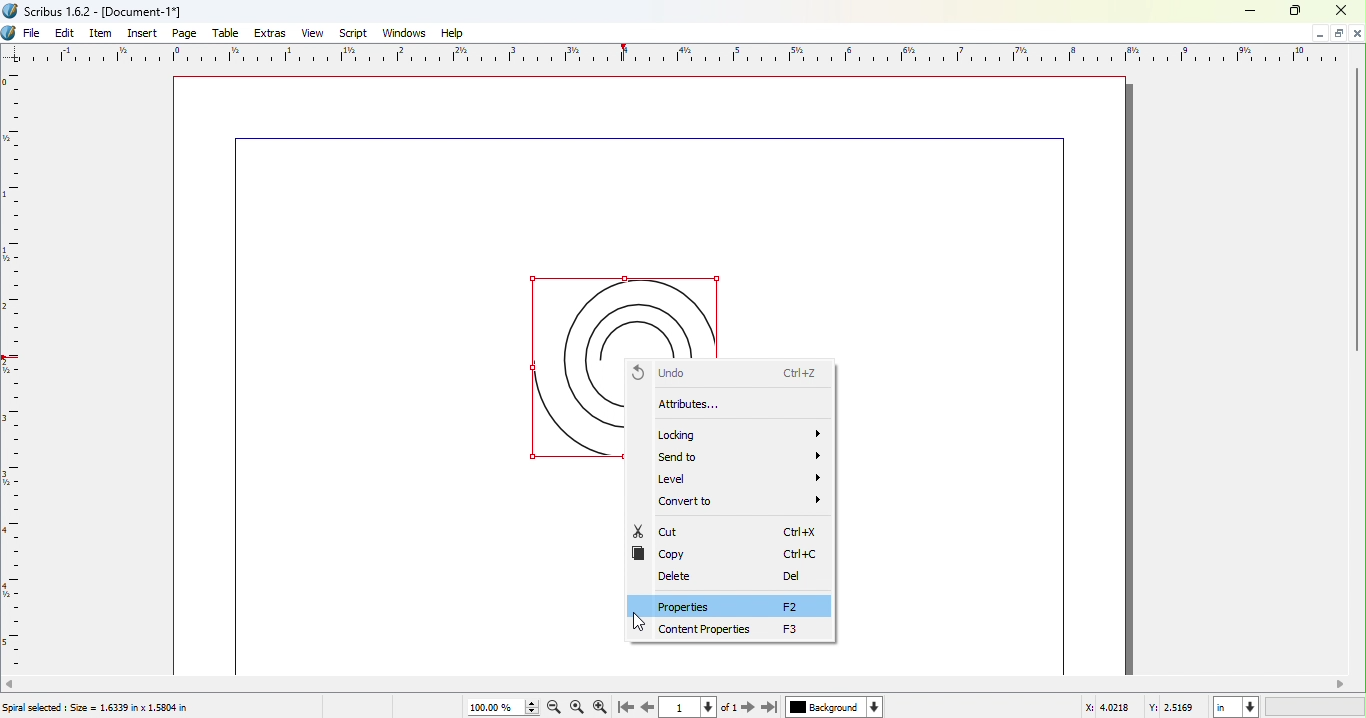  I want to click on total page, so click(729, 707).